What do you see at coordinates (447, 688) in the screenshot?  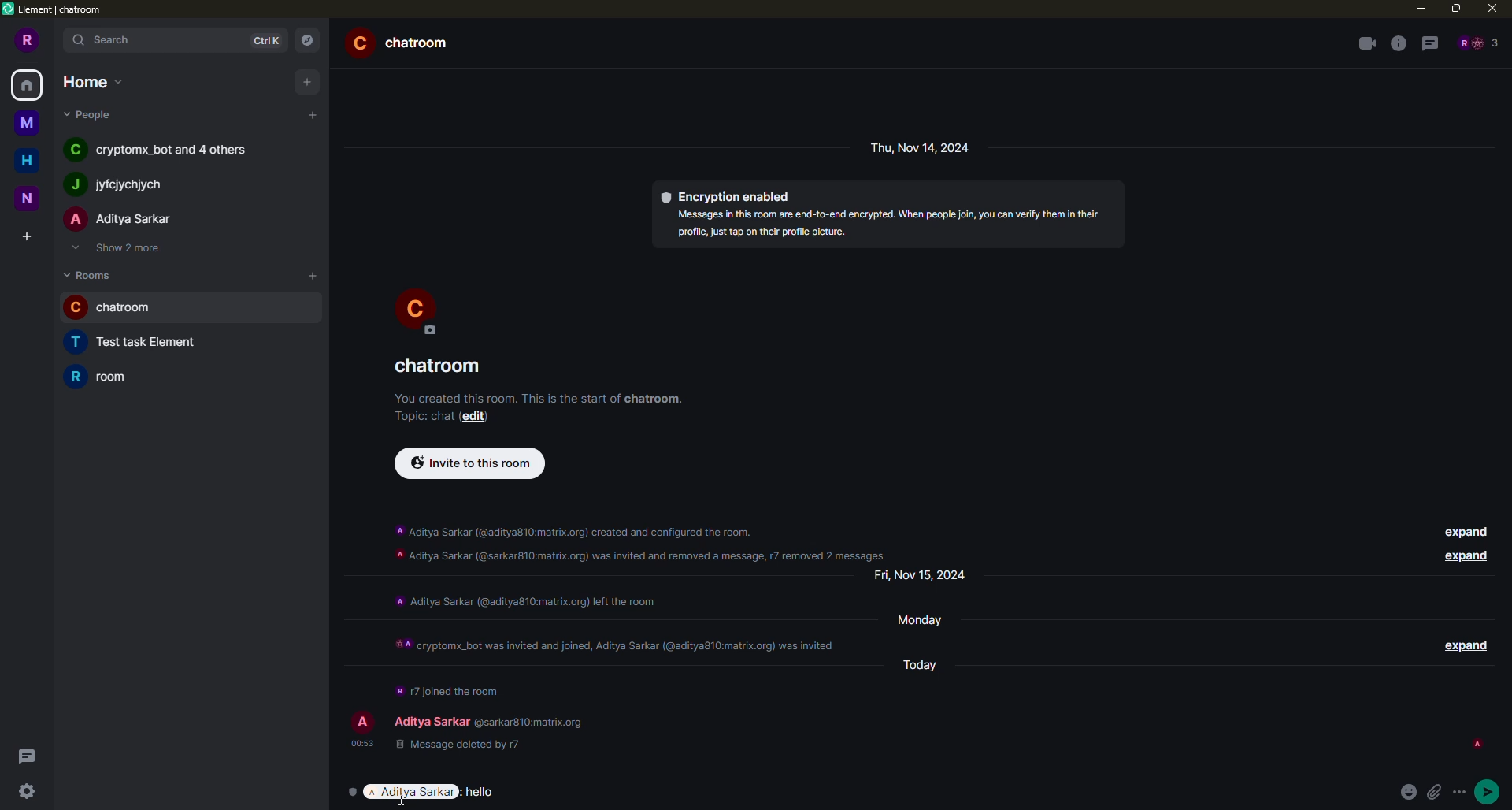 I see `info` at bounding box center [447, 688].